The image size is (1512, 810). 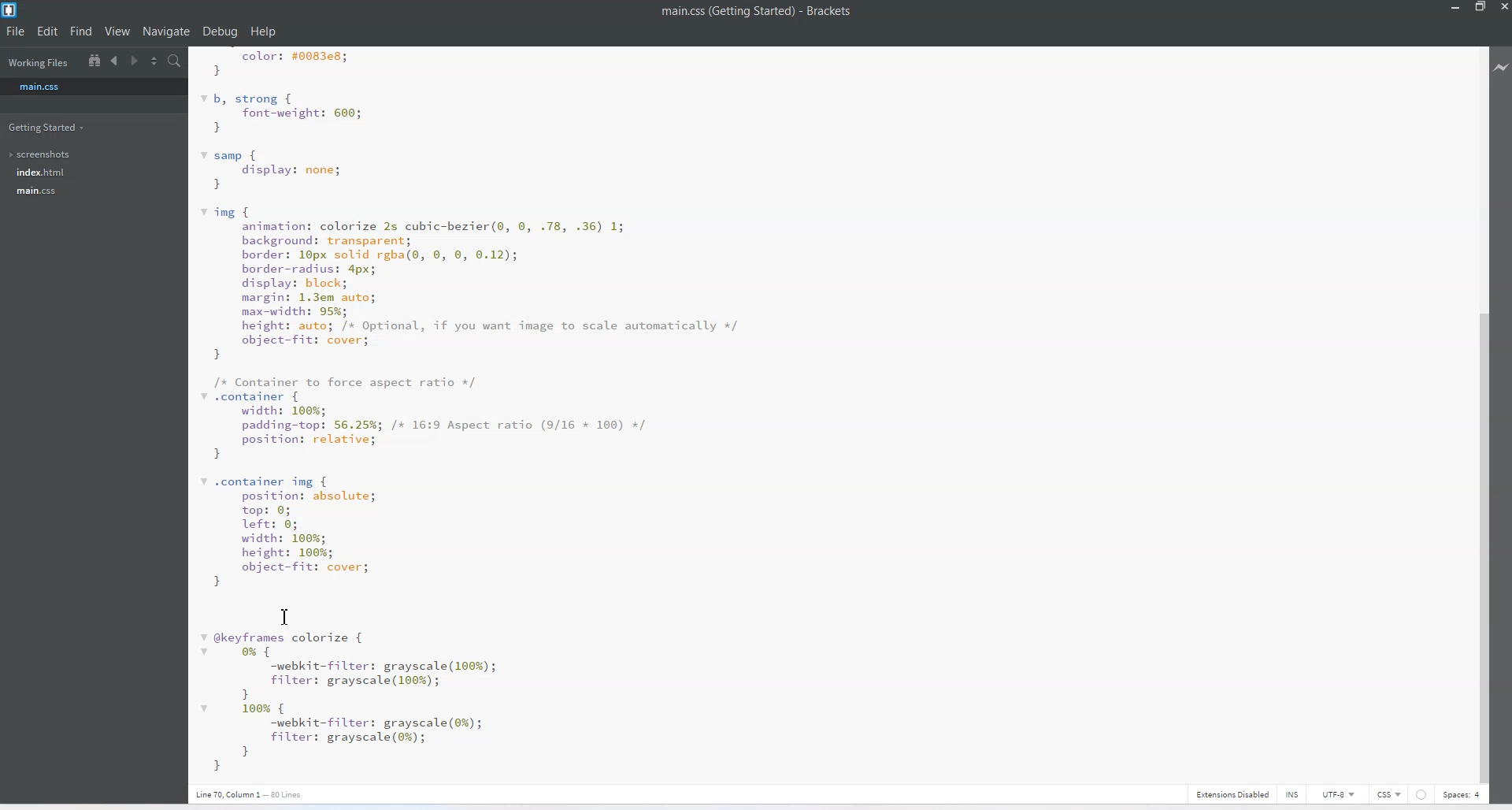 I want to click on Extensions Disabled, so click(x=1230, y=793).